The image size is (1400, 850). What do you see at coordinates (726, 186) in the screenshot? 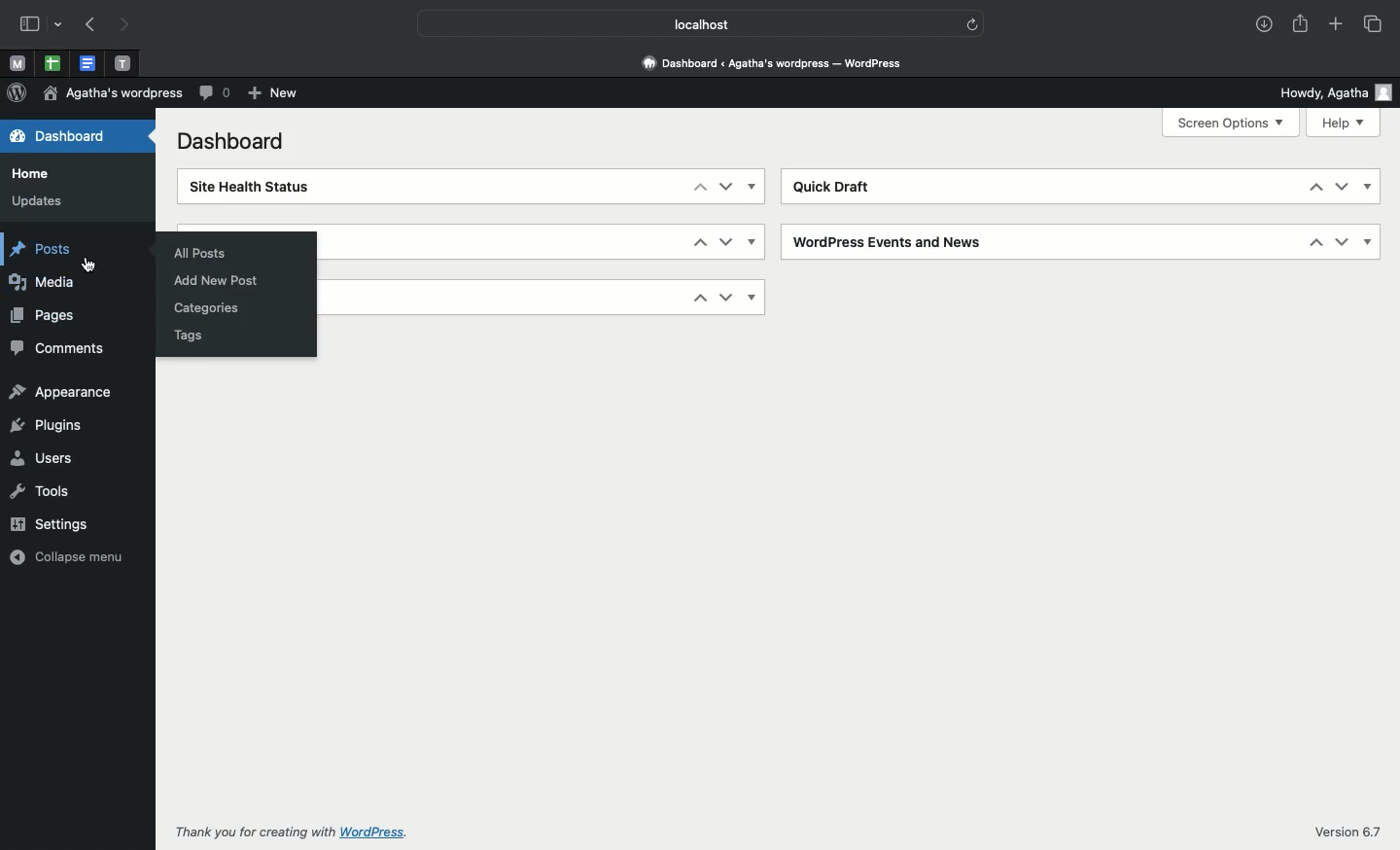
I see `Down` at bounding box center [726, 186].